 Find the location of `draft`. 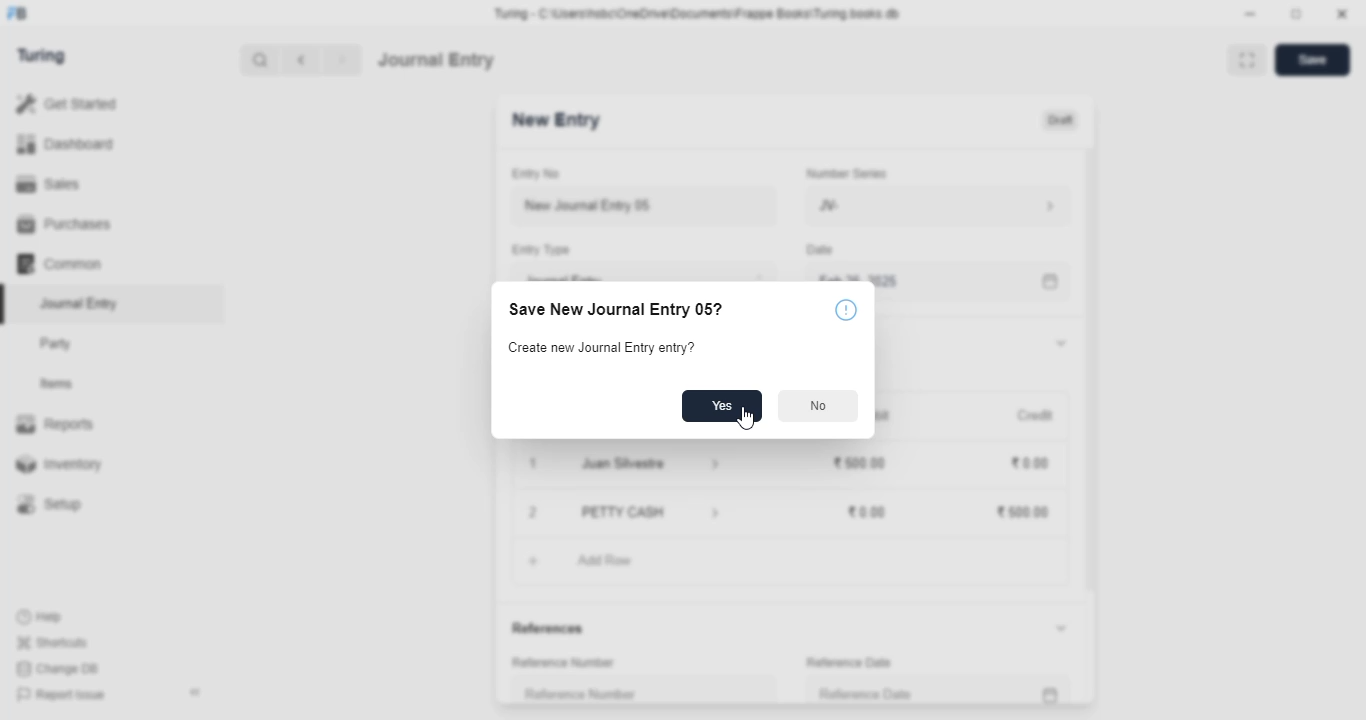

draft is located at coordinates (1059, 120).